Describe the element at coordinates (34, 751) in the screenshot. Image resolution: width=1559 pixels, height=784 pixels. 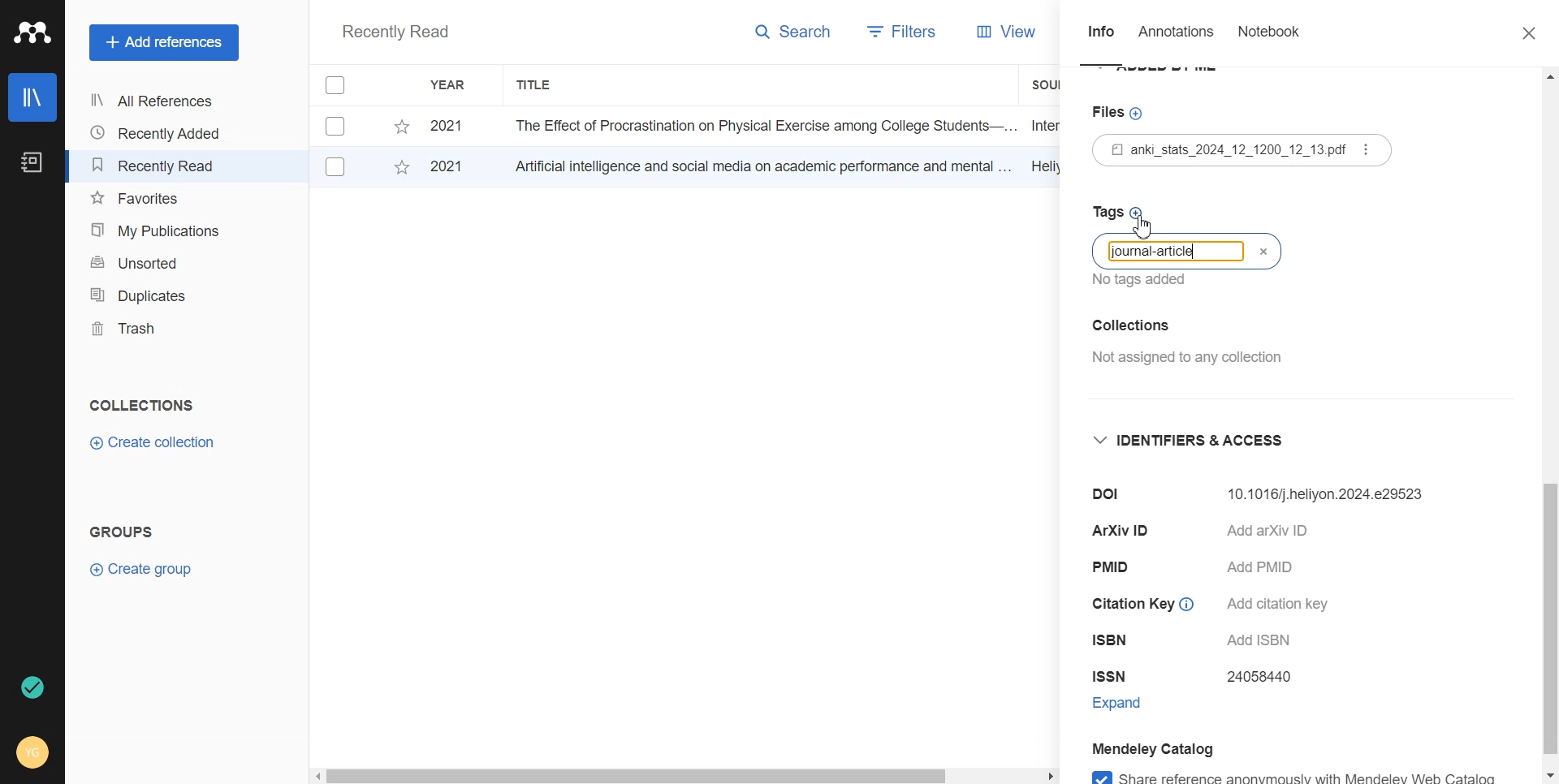
I see `Account` at that location.